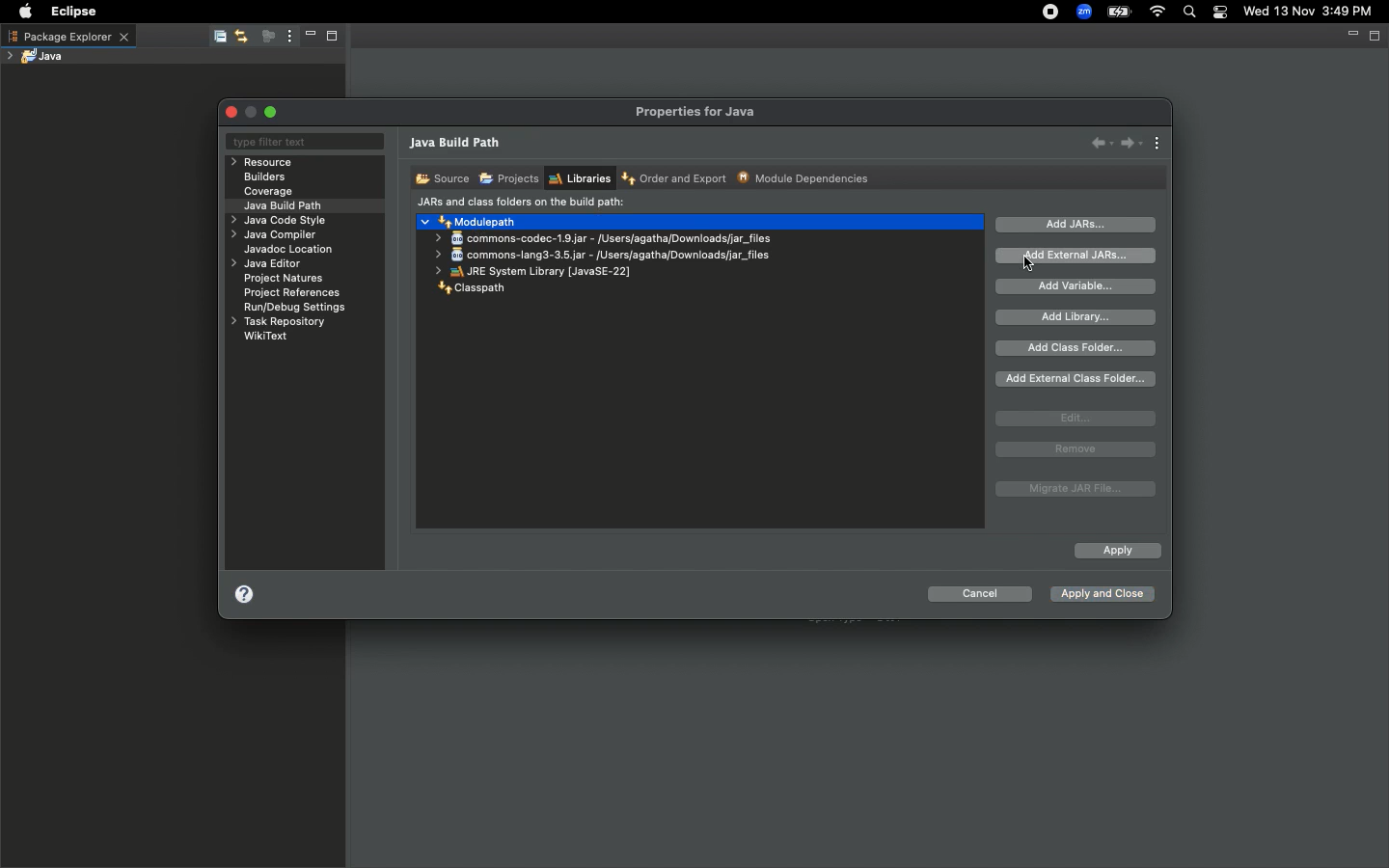 Image resolution: width=1389 pixels, height=868 pixels. What do you see at coordinates (1131, 143) in the screenshot?
I see `Forward` at bounding box center [1131, 143].